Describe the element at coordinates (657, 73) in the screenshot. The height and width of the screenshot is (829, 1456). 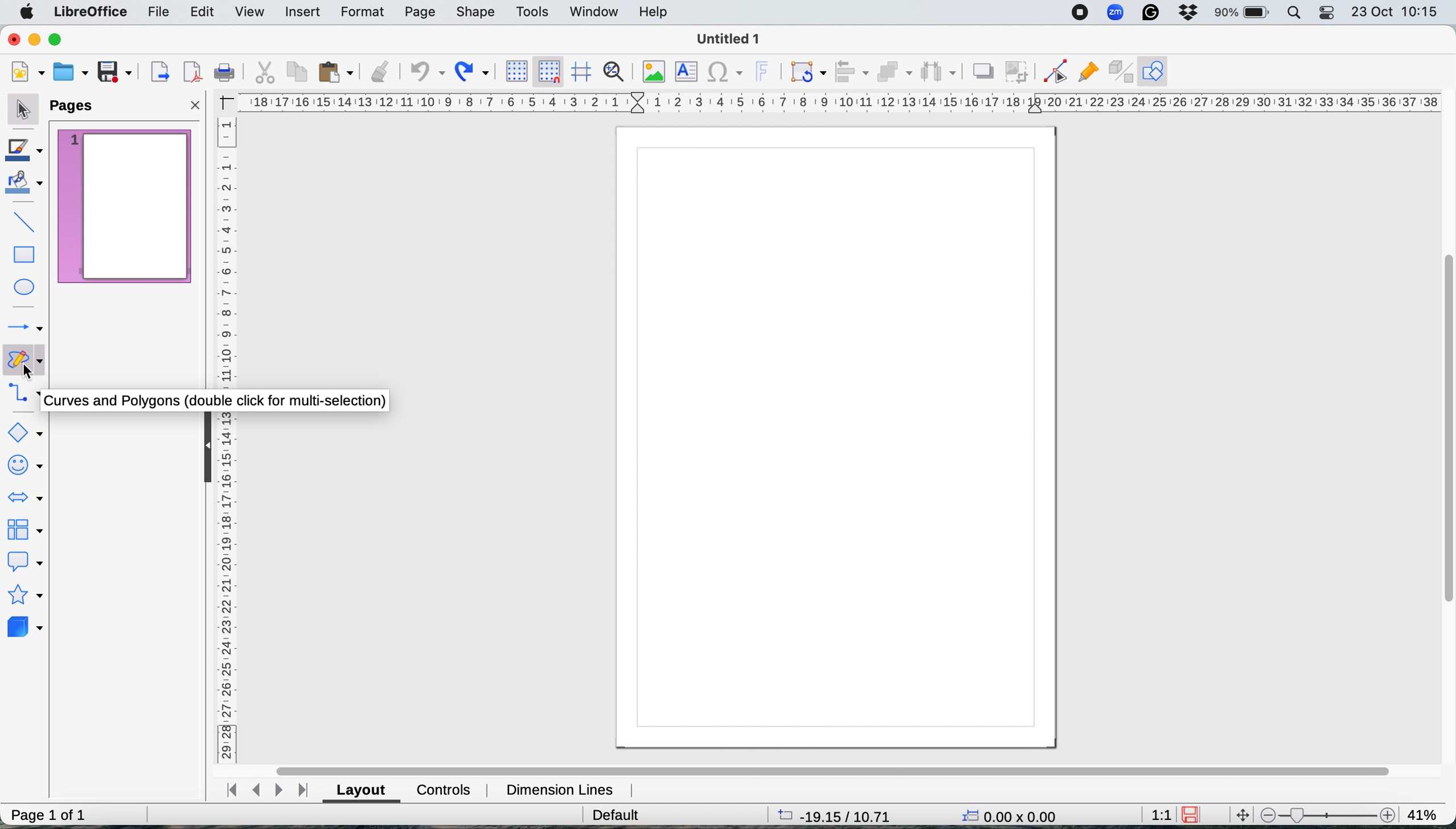
I see `insert image` at that location.